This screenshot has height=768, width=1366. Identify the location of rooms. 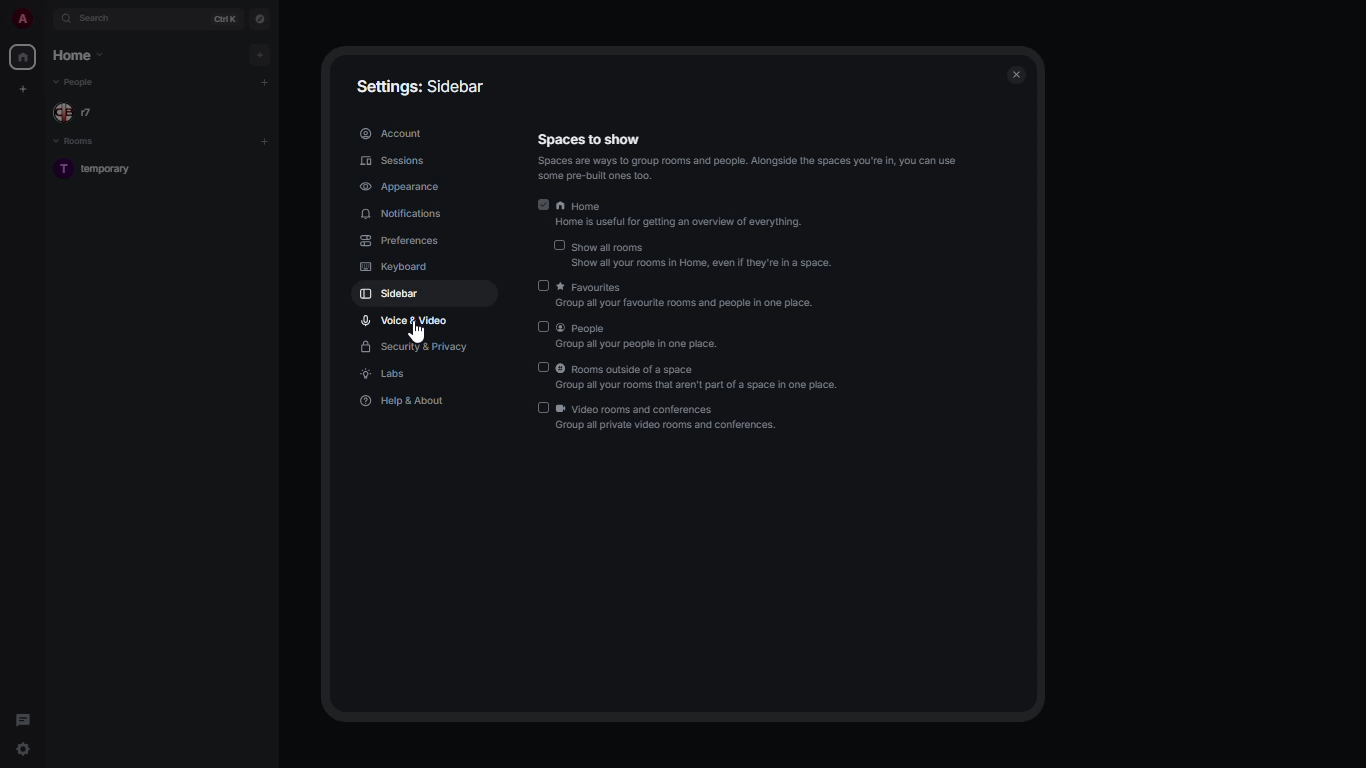
(79, 142).